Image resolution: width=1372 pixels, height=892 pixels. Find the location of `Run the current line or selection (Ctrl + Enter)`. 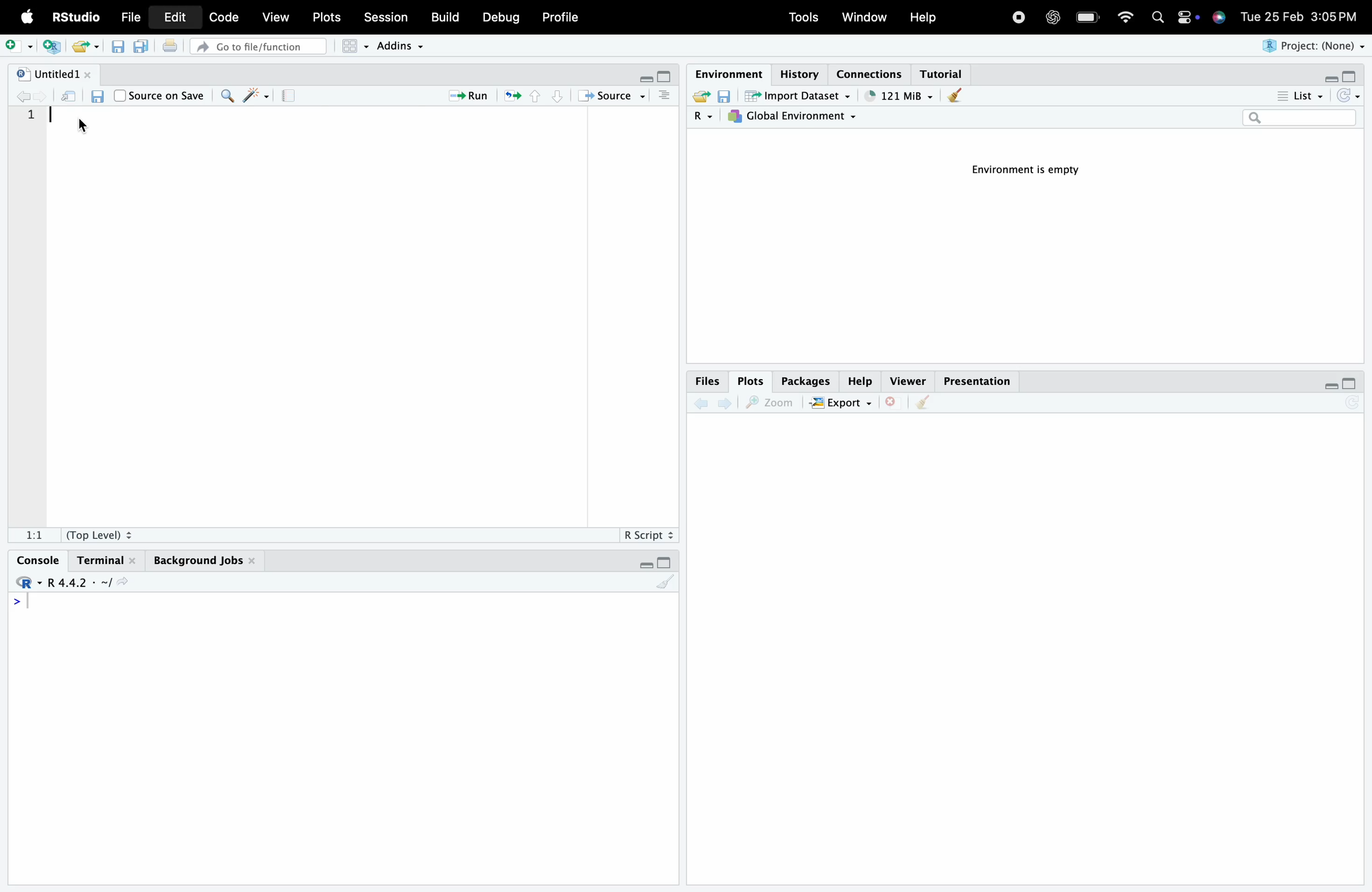

Run the current line or selection (Ctrl + Enter) is located at coordinates (464, 96).